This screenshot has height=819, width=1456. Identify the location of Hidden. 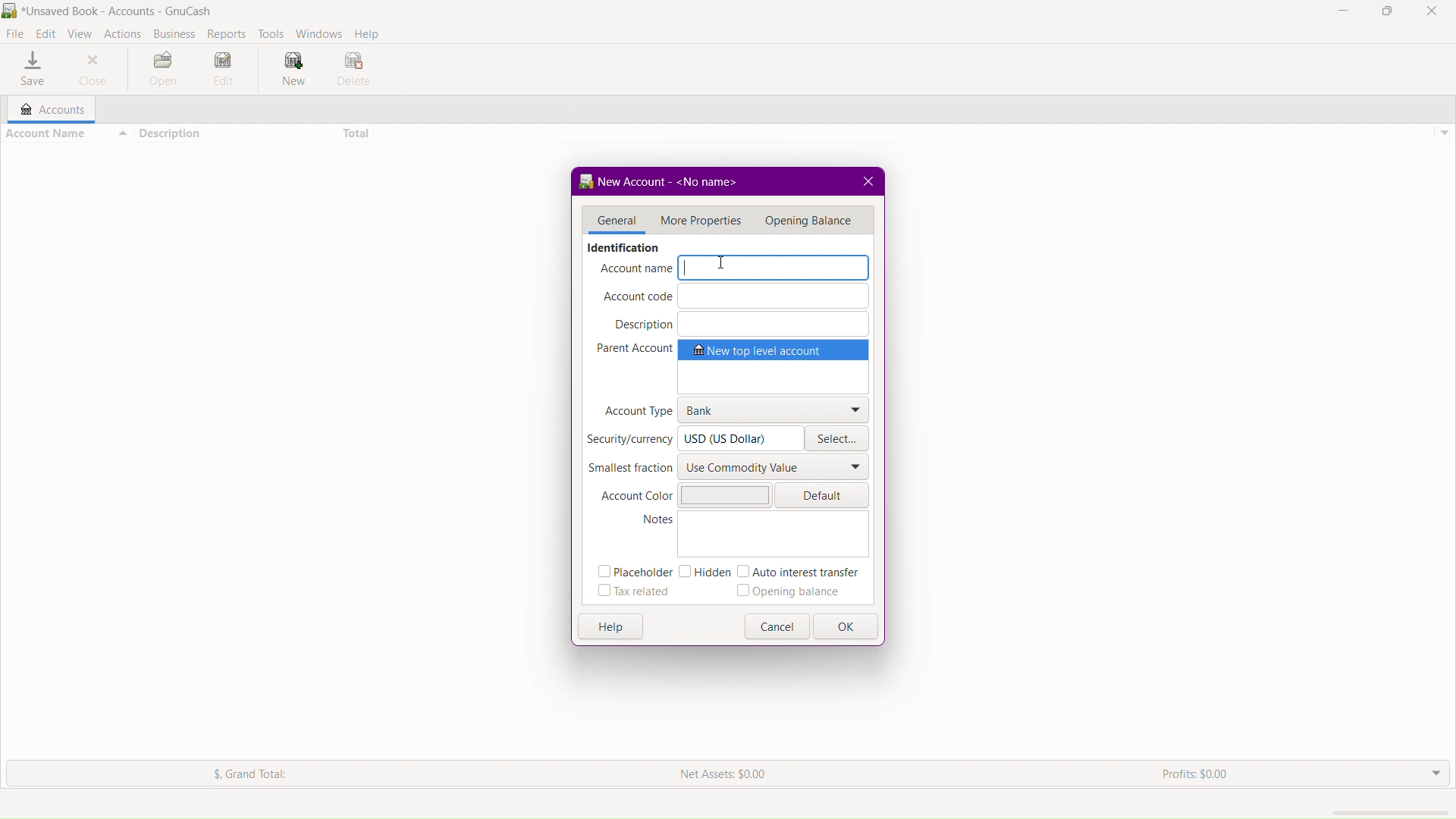
(703, 572).